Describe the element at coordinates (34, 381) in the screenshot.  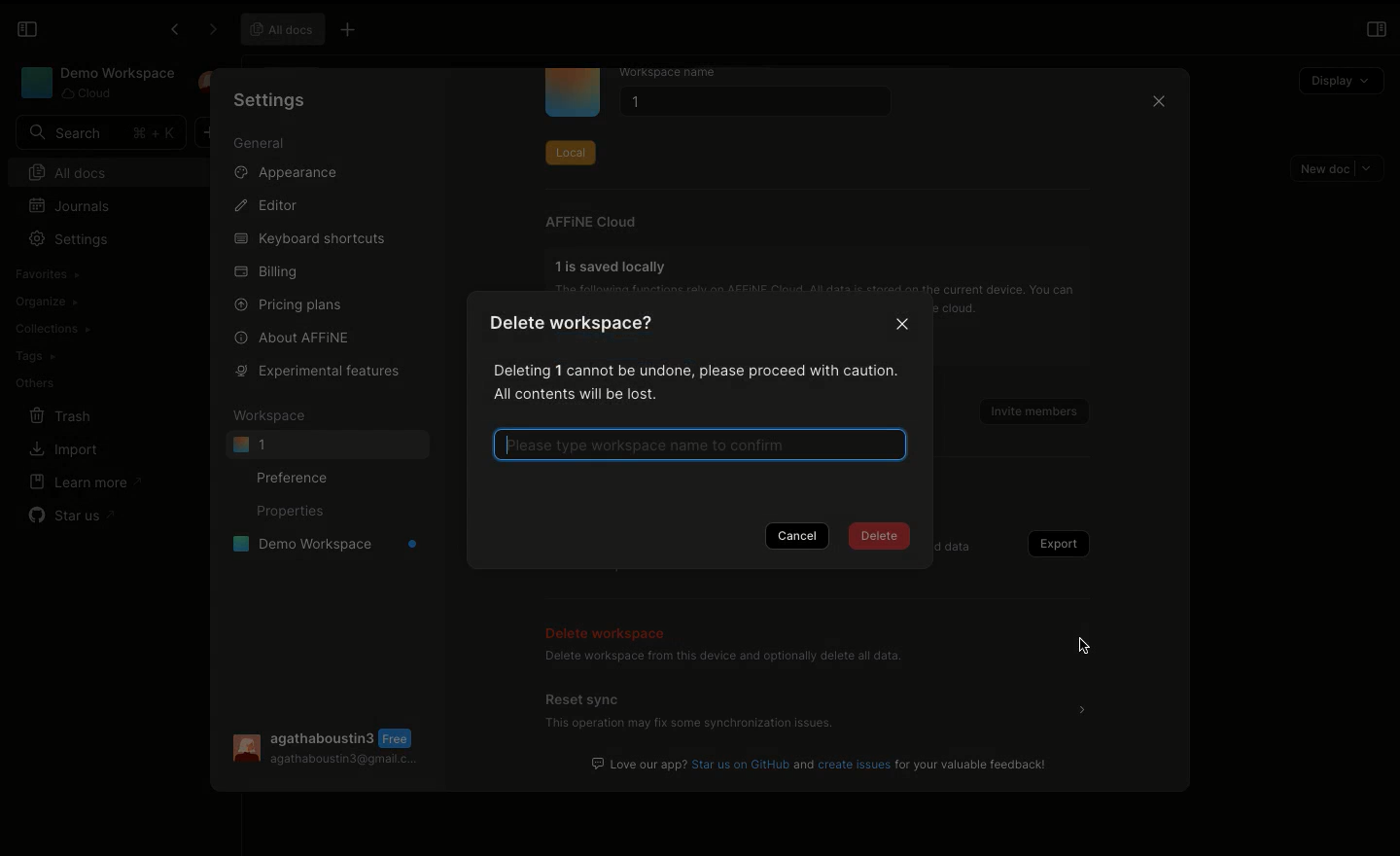
I see `Others` at that location.